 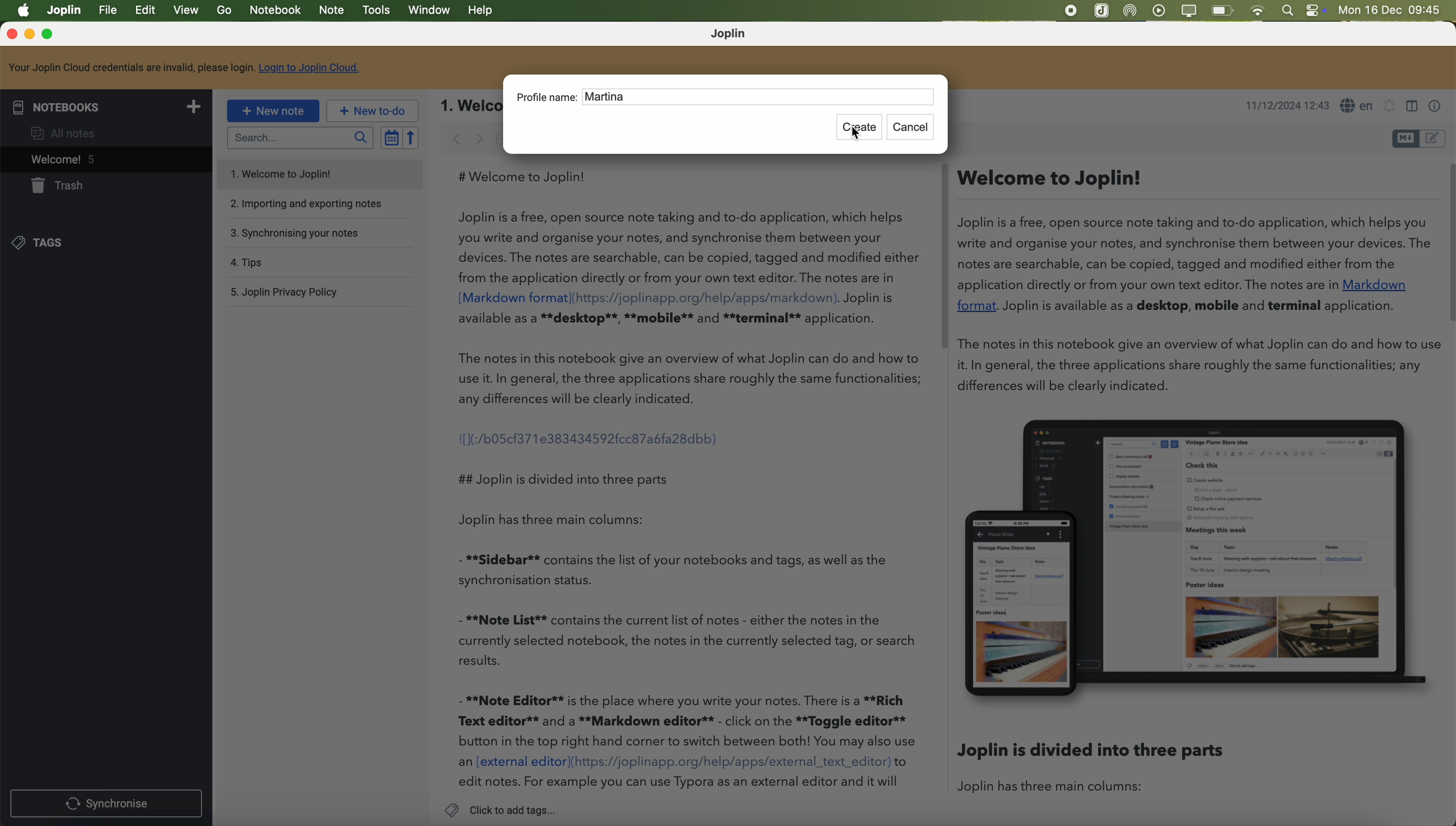 What do you see at coordinates (333, 11) in the screenshot?
I see `note` at bounding box center [333, 11].